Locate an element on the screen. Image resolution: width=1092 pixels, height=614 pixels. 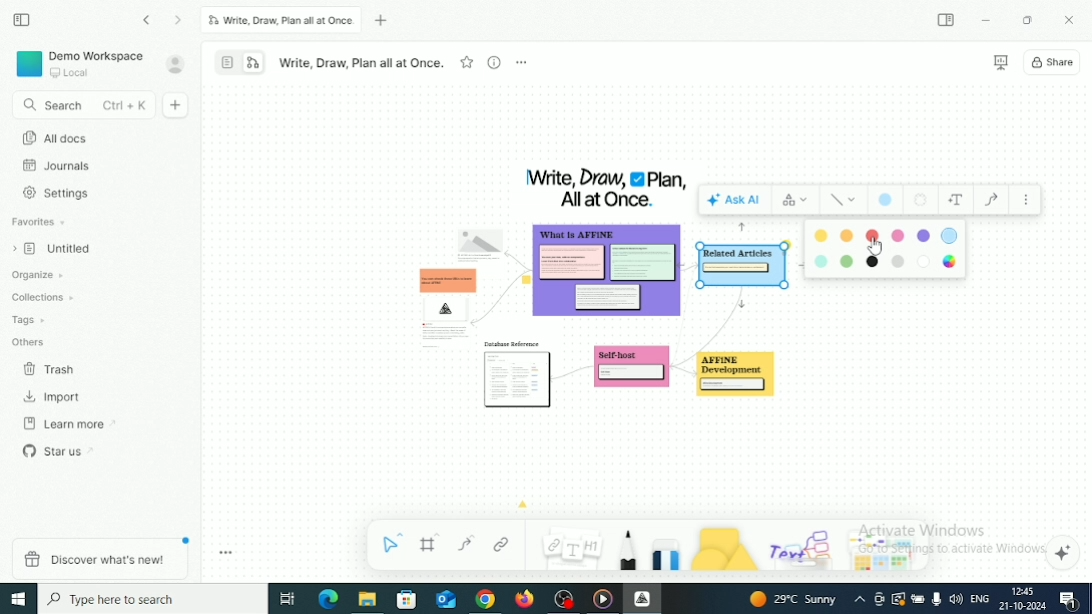
Firefox is located at coordinates (525, 600).